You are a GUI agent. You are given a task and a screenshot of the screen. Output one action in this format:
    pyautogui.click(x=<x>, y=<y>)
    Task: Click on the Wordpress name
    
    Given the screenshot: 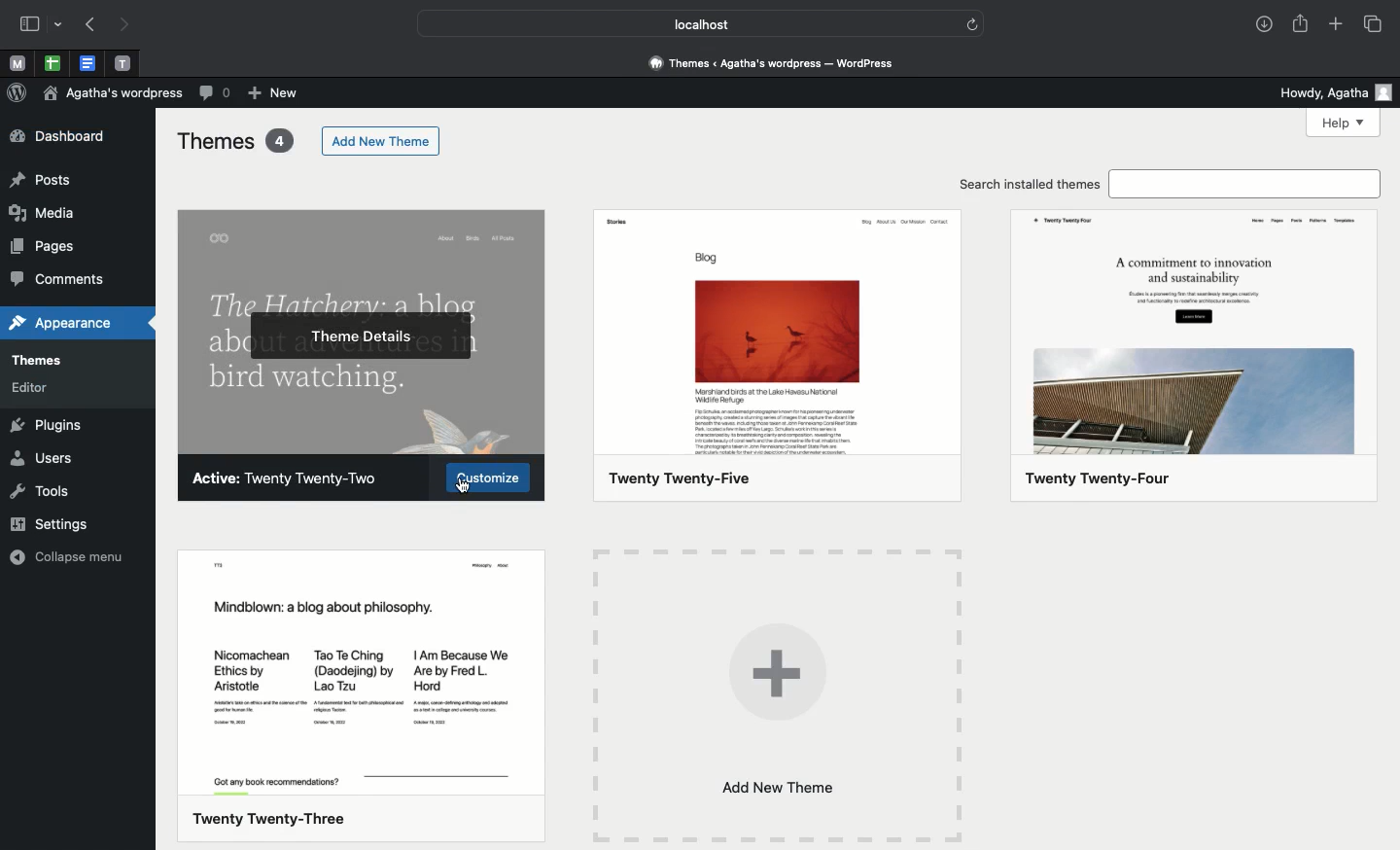 What is the action you would take?
    pyautogui.click(x=113, y=92)
    